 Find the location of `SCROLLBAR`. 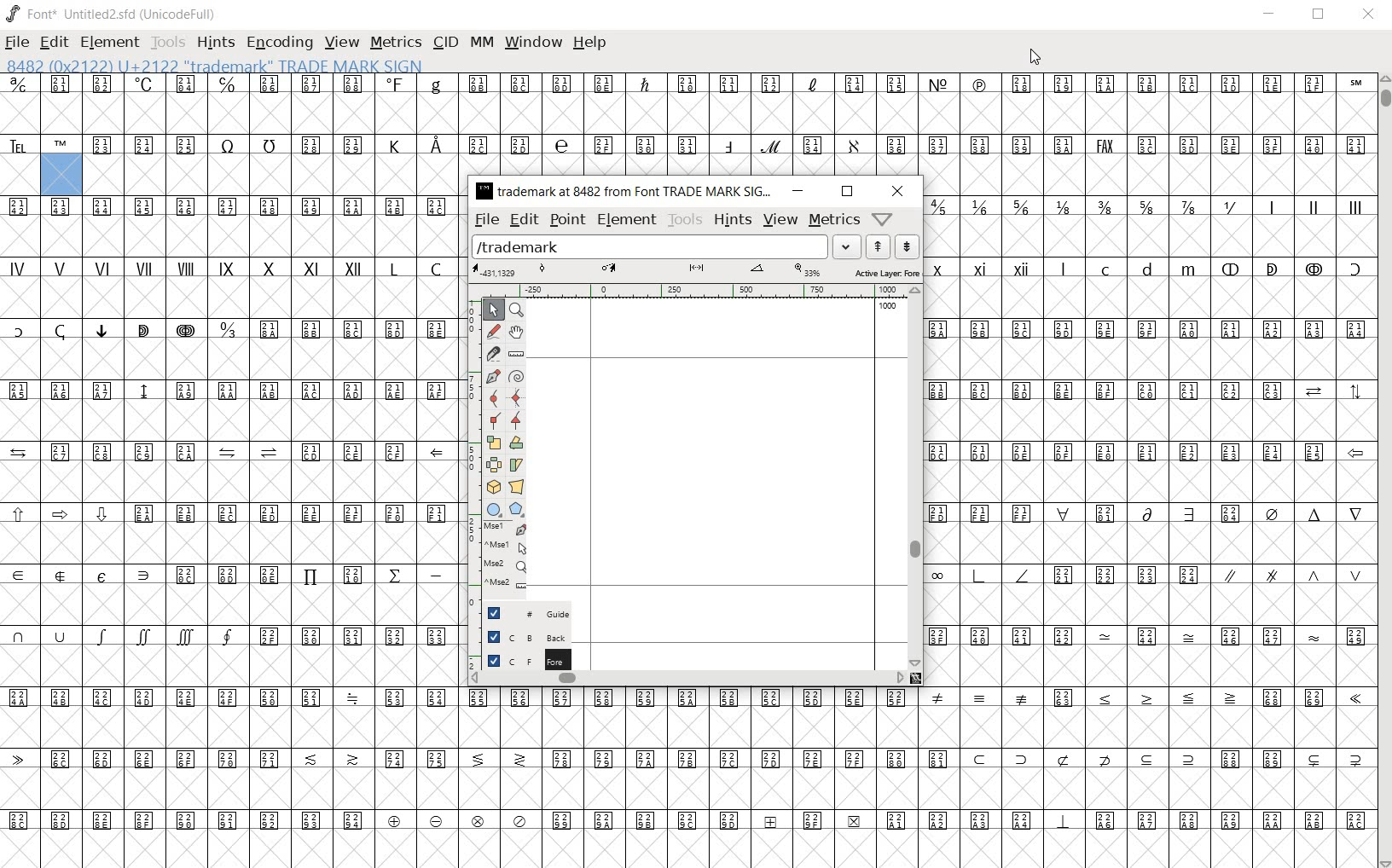

SCROLLBAR is located at coordinates (1383, 472).